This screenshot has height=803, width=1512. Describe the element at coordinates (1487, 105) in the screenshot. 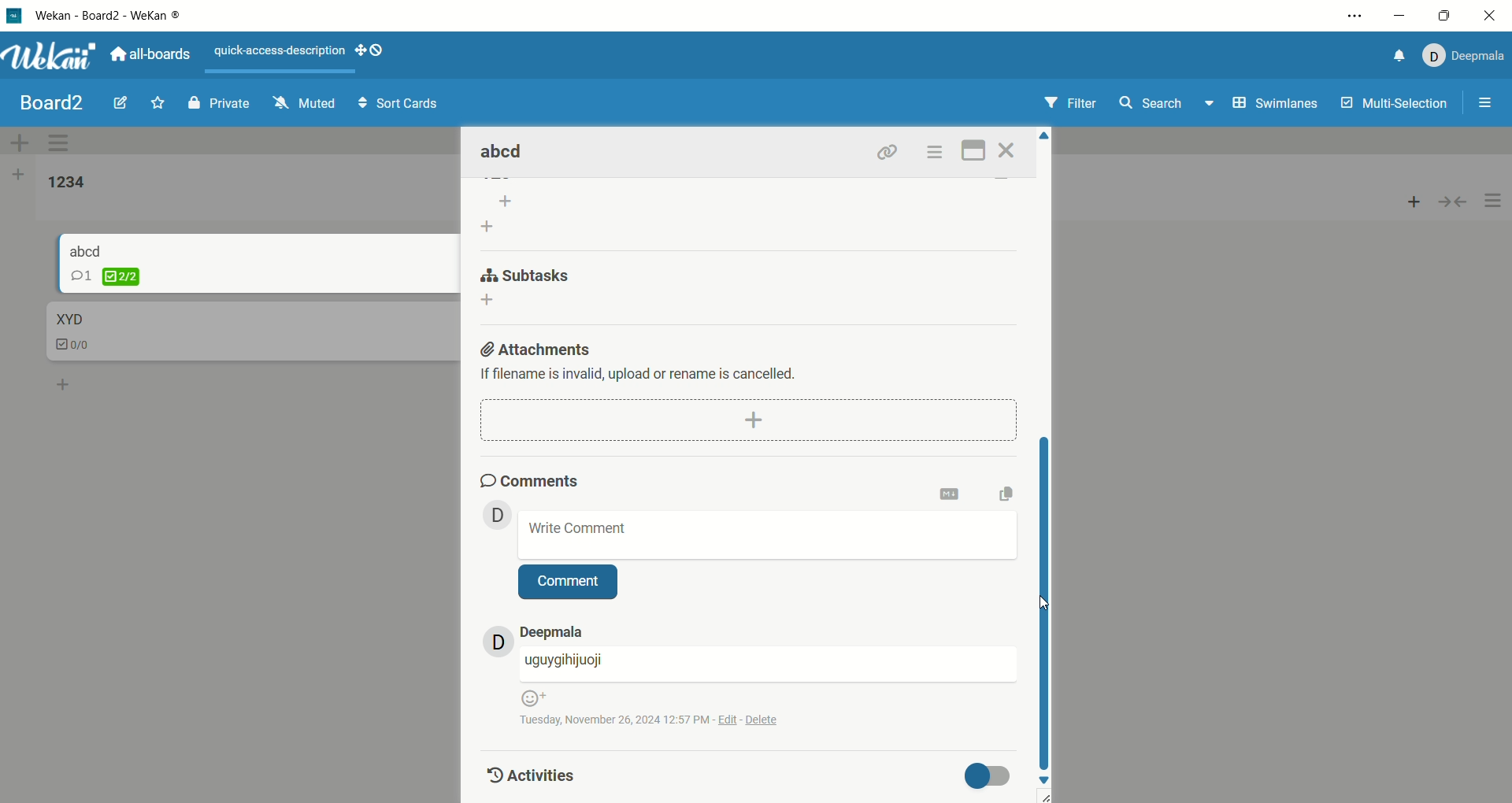

I see `options` at that location.